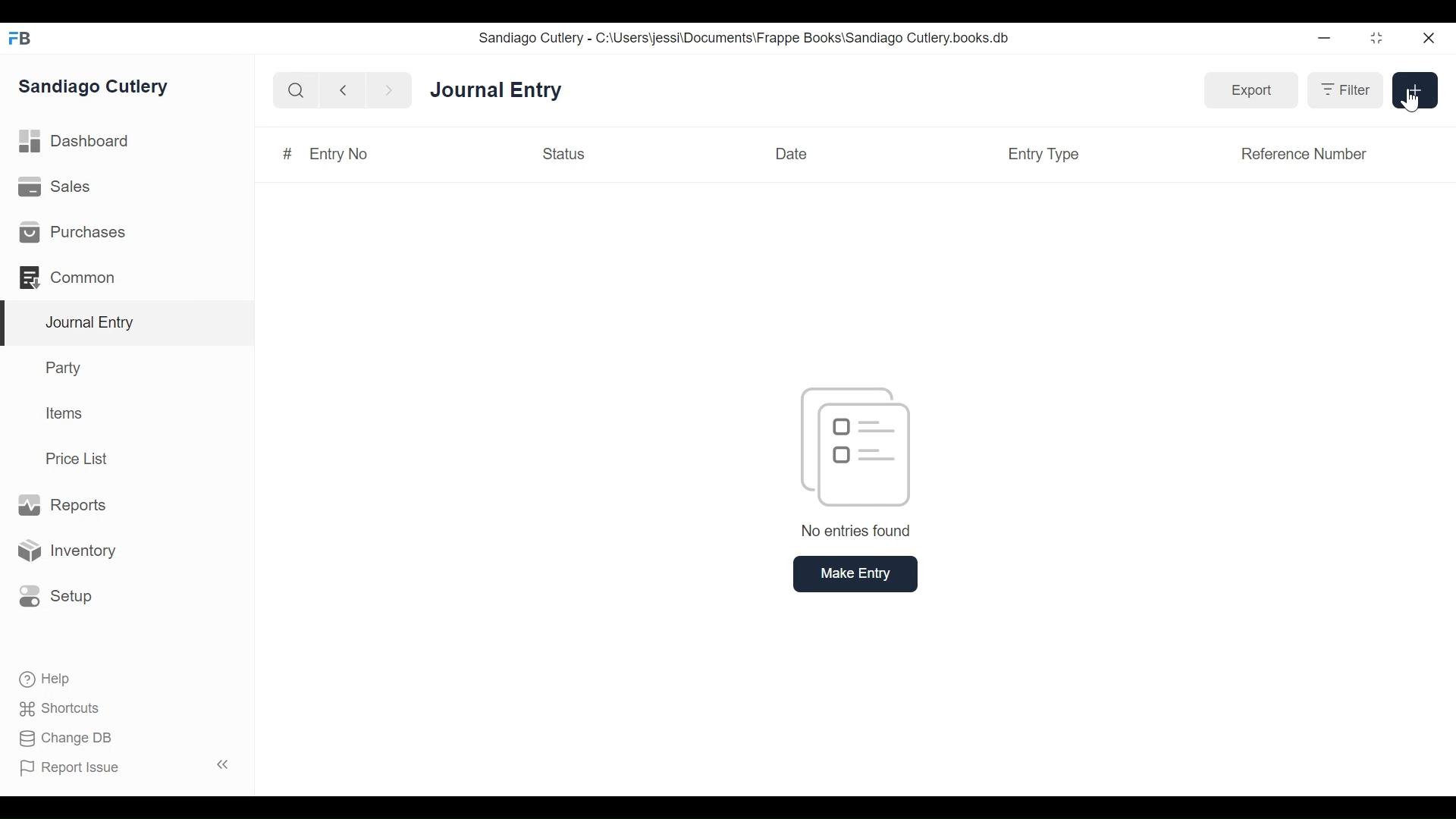 The image size is (1456, 819). I want to click on Export, so click(1251, 91).